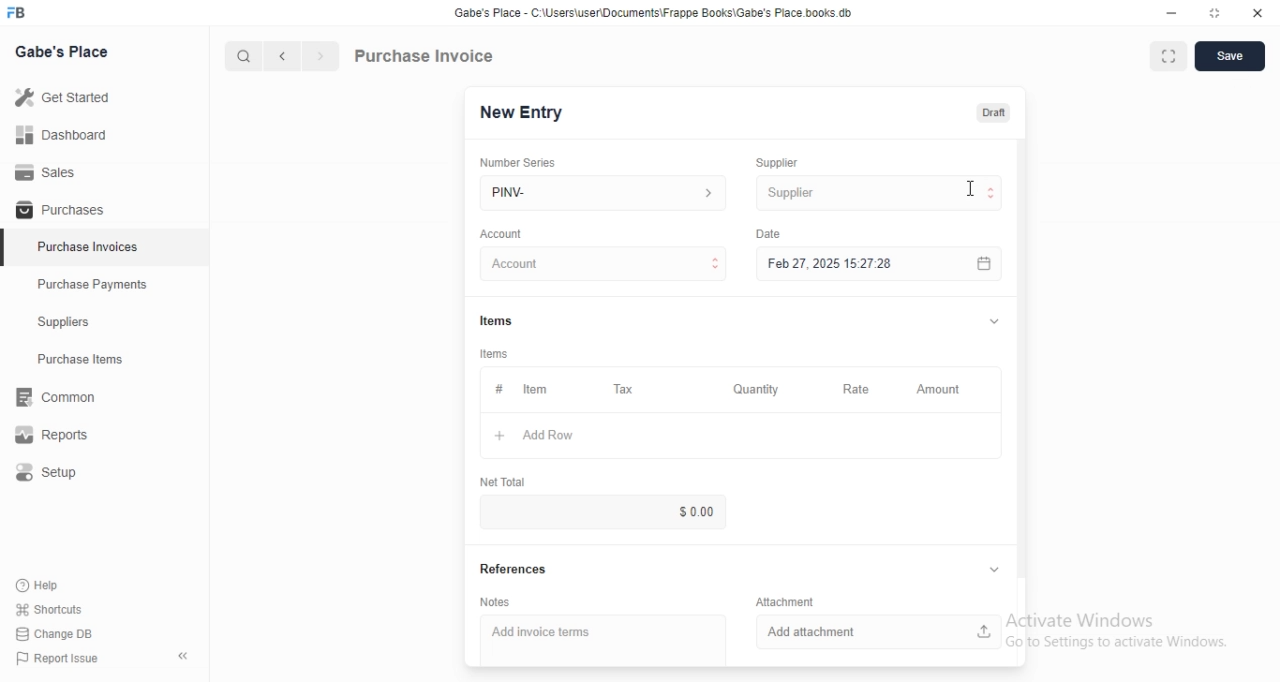 This screenshot has height=682, width=1280. Describe the element at coordinates (994, 569) in the screenshot. I see `Collapse` at that location.